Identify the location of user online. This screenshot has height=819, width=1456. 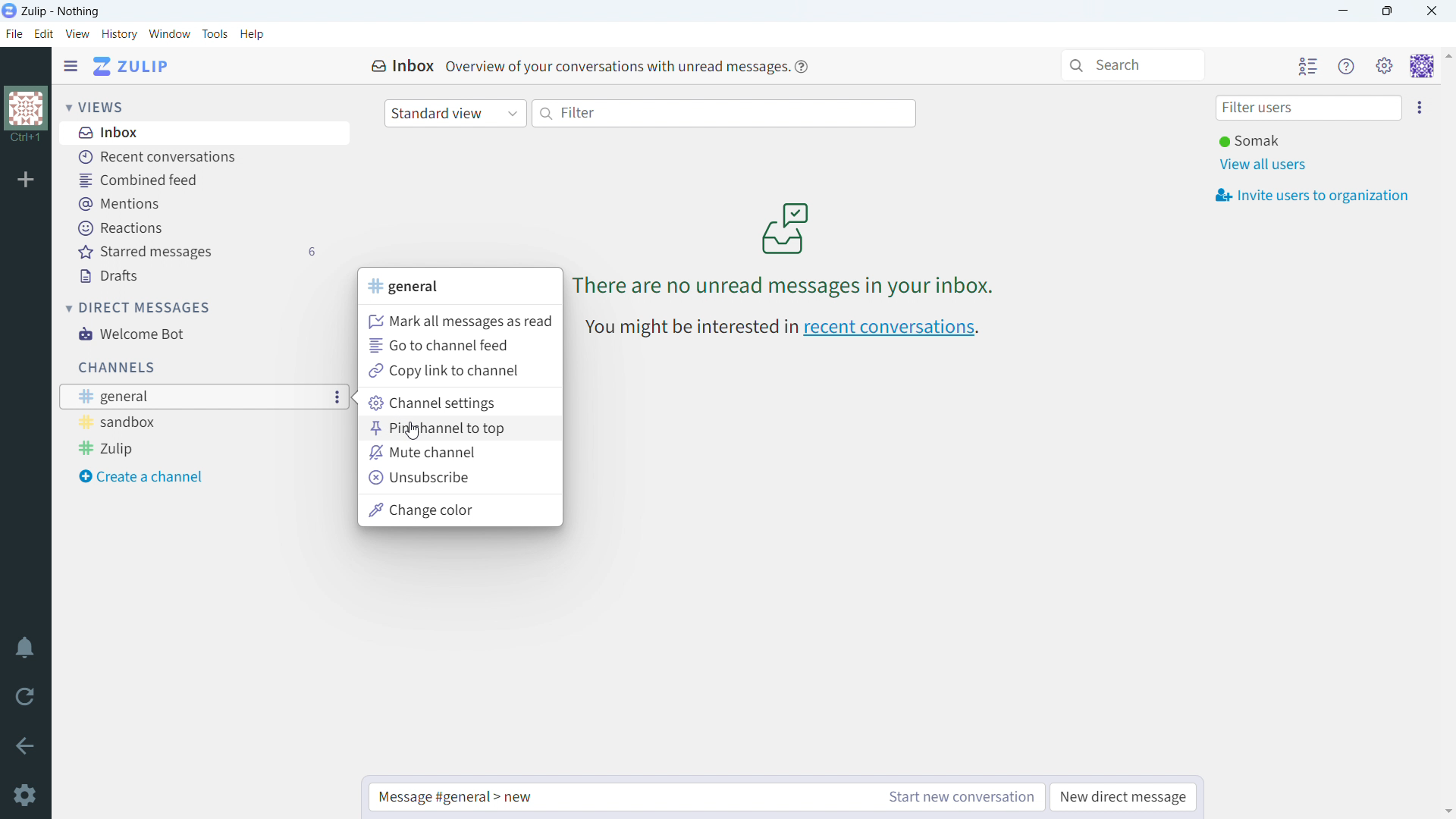
(1249, 141).